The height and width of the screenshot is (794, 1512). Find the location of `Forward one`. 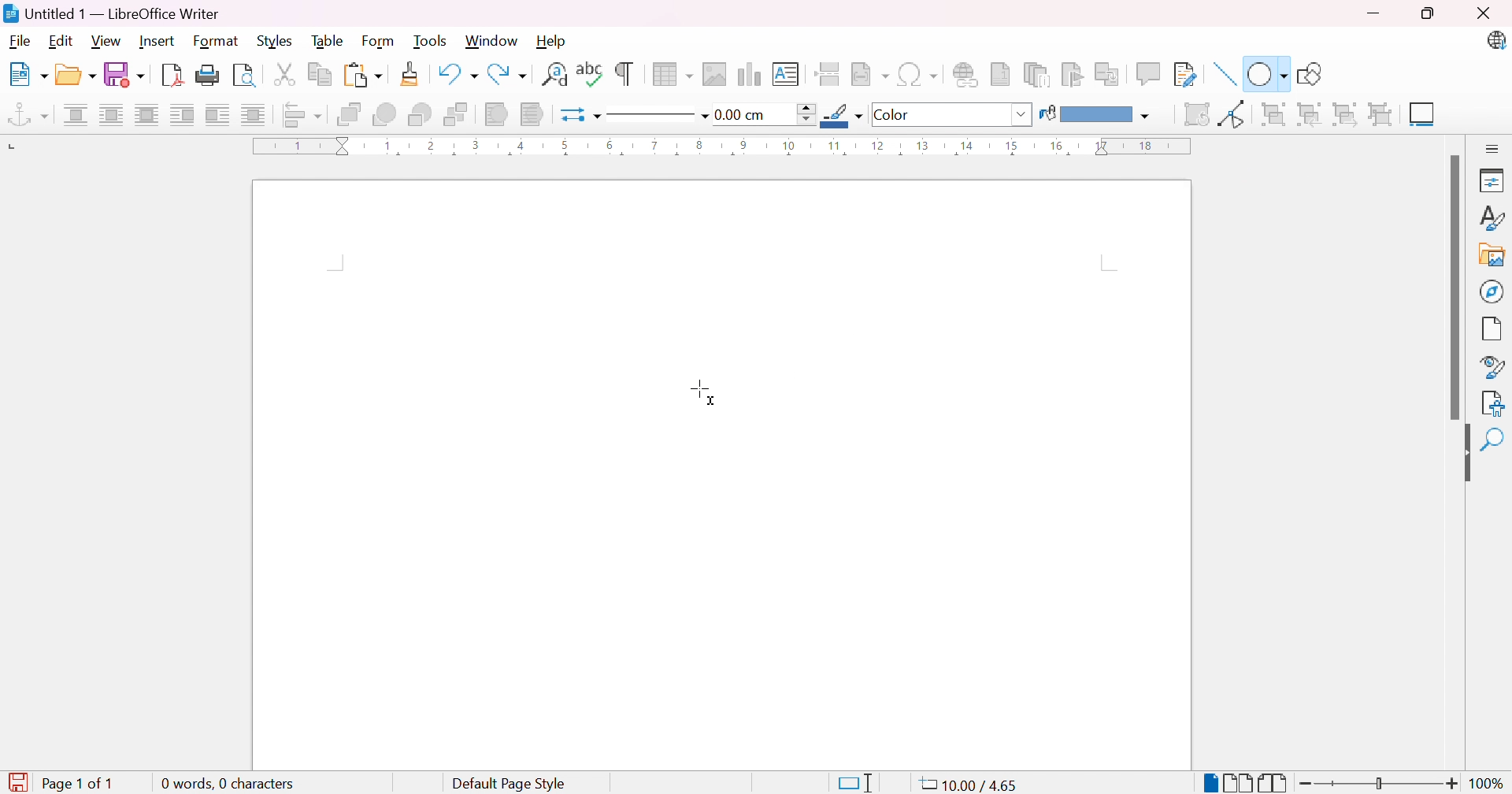

Forward one is located at coordinates (384, 114).